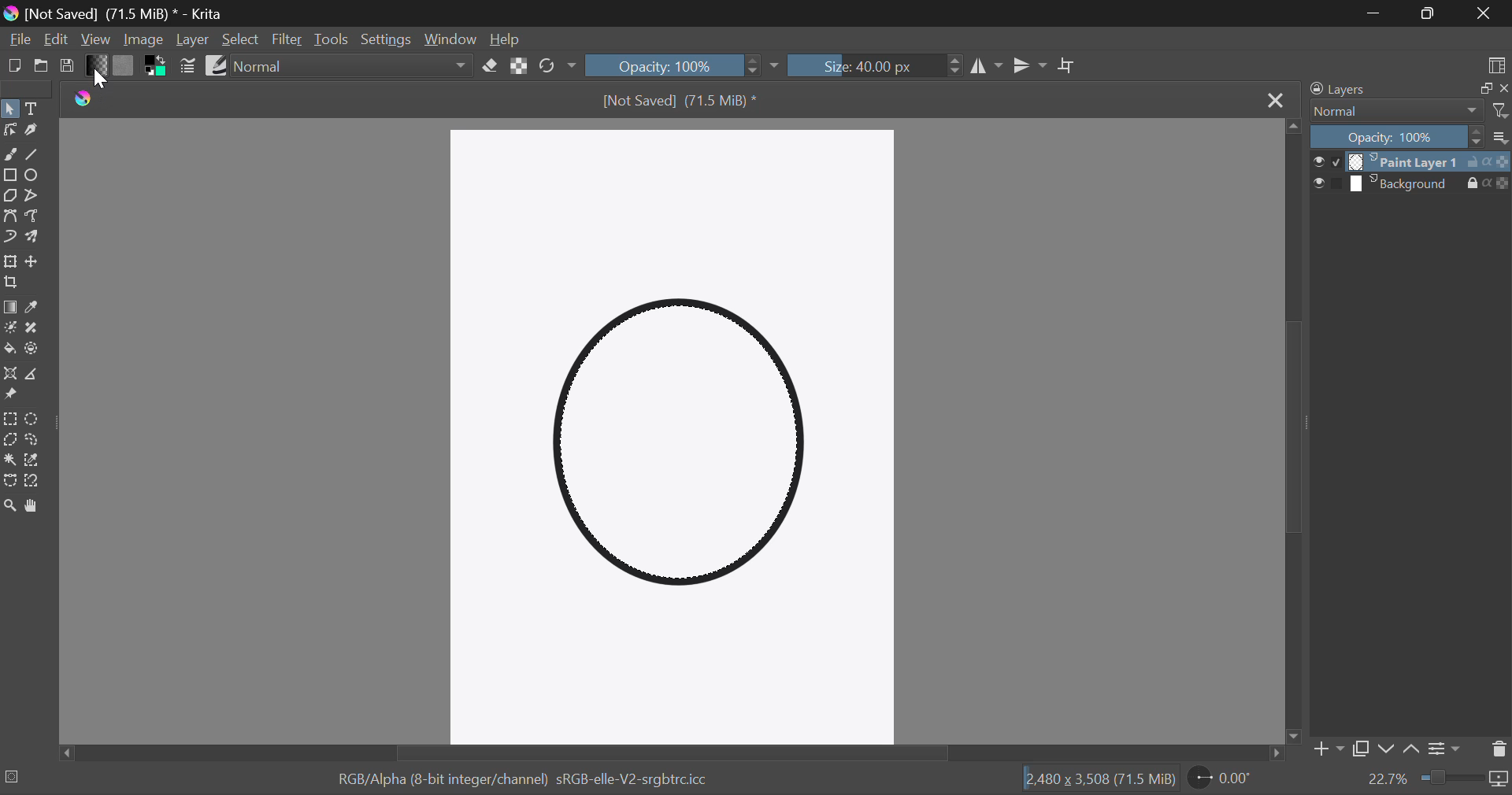 Image resolution: width=1512 pixels, height=795 pixels. What do you see at coordinates (37, 483) in the screenshot?
I see `Magnetic Curve Selection` at bounding box center [37, 483].